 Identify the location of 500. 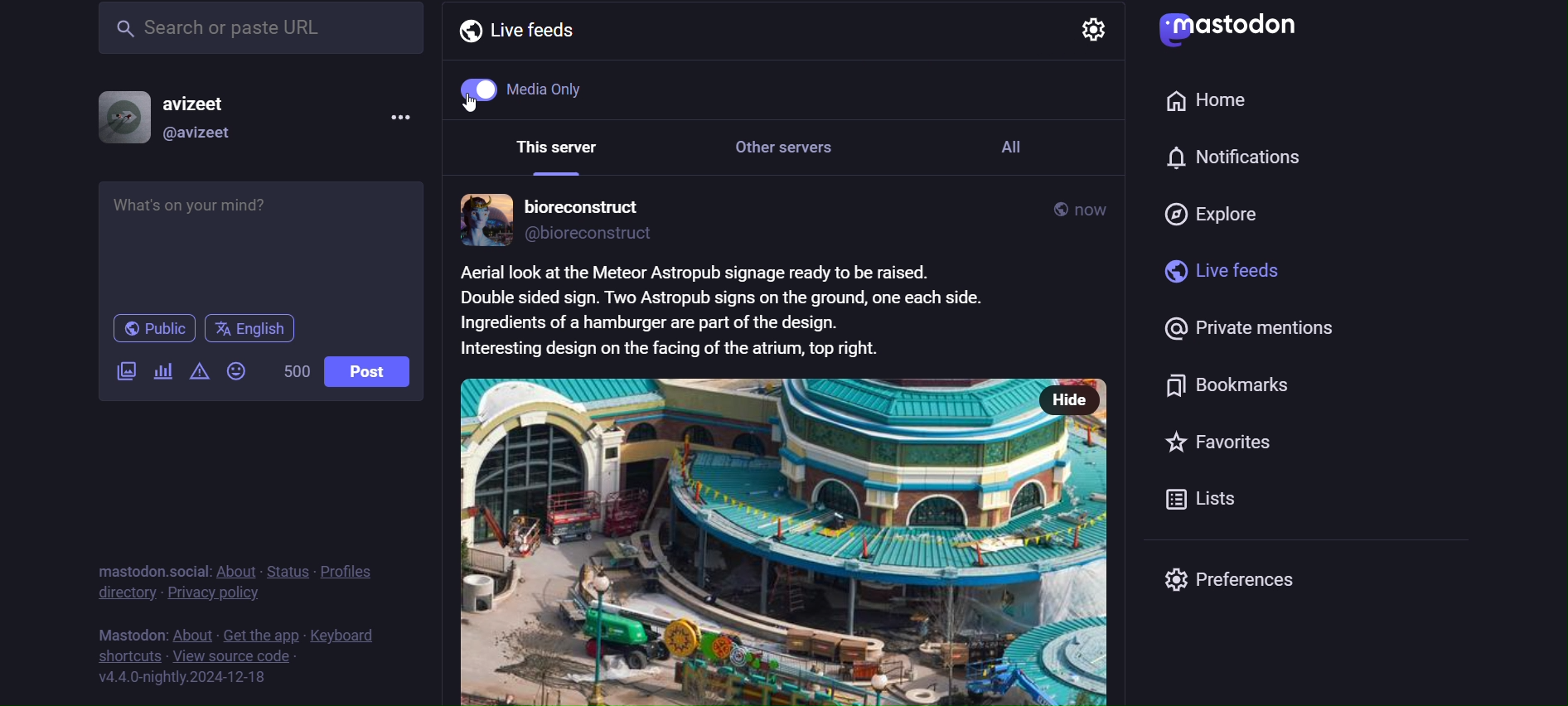
(295, 373).